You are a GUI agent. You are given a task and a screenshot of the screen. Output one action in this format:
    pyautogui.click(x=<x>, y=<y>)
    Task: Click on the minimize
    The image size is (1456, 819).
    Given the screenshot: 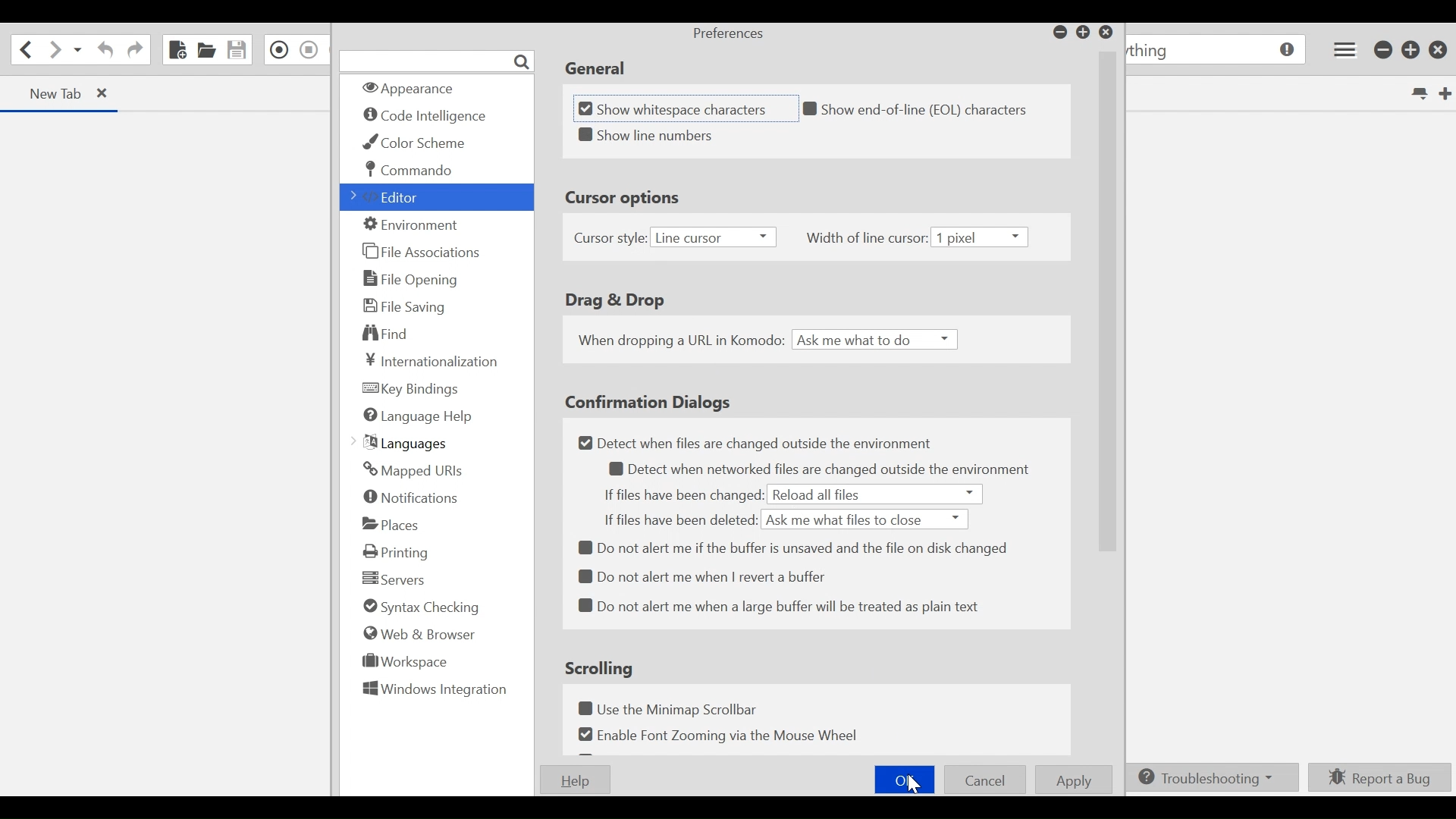 What is the action you would take?
    pyautogui.click(x=1385, y=50)
    